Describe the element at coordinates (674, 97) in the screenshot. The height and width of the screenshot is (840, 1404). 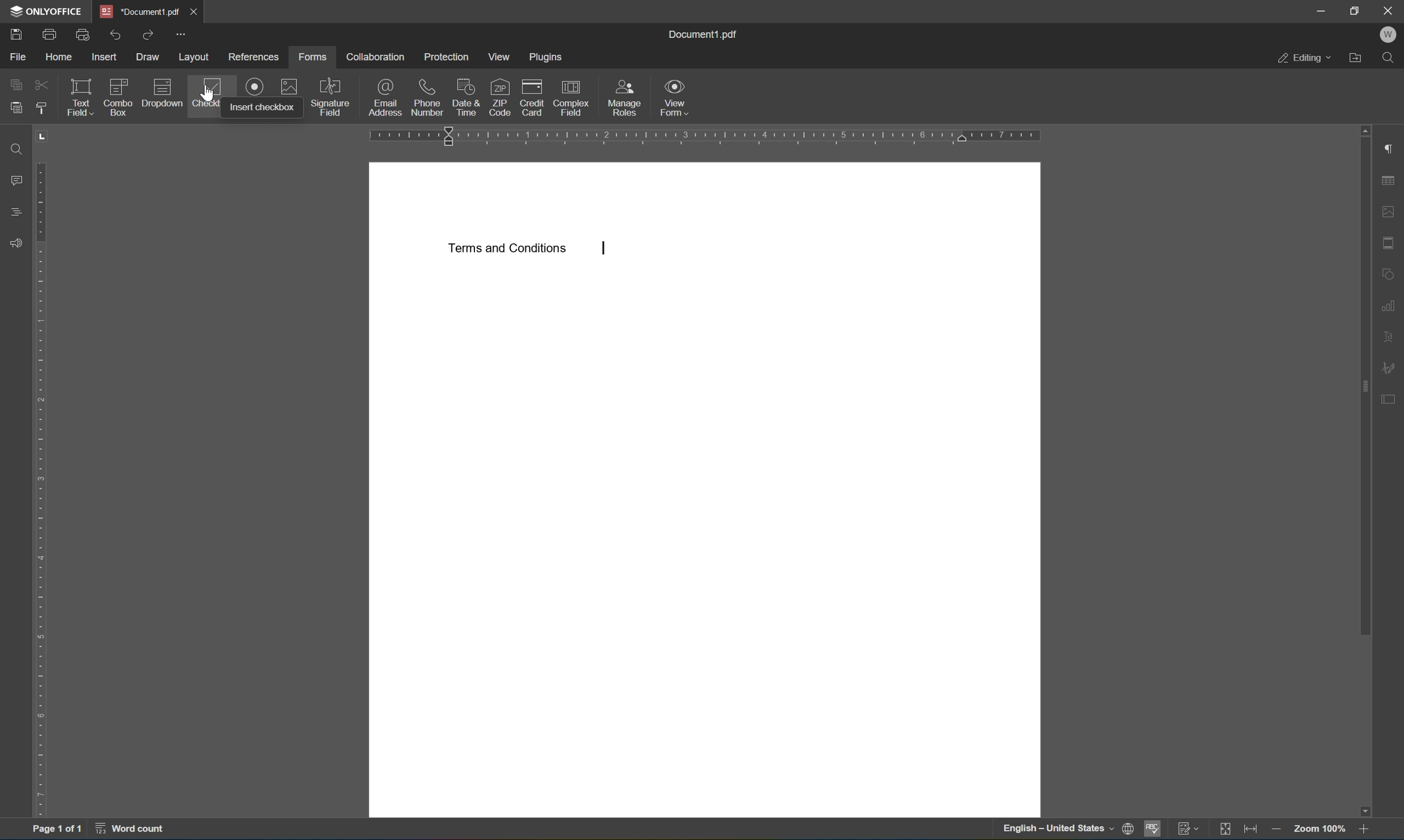
I see `view form` at that location.